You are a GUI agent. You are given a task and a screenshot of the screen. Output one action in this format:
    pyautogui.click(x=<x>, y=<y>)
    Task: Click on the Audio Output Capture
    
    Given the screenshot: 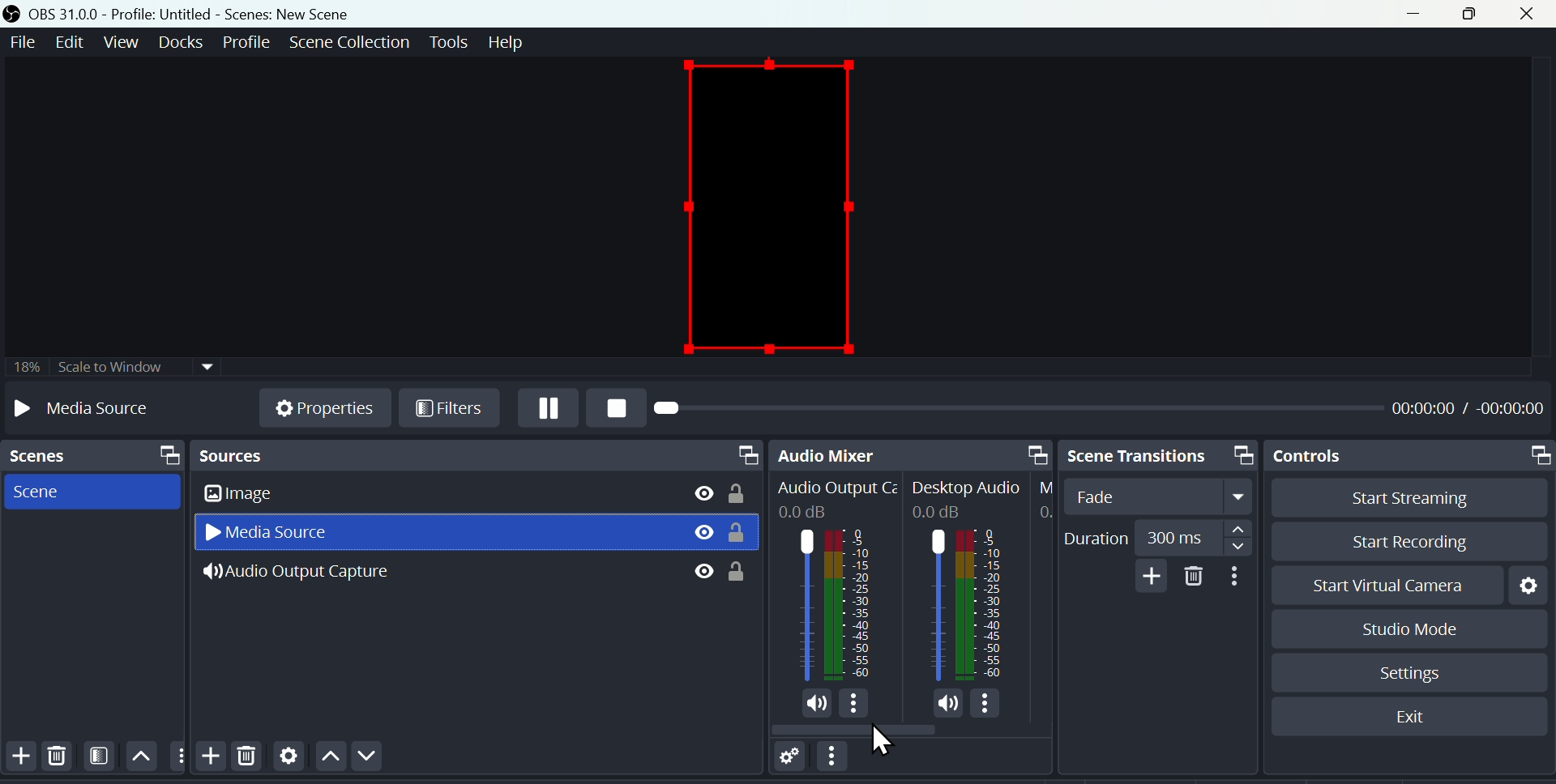 What is the action you would take?
    pyautogui.click(x=836, y=489)
    